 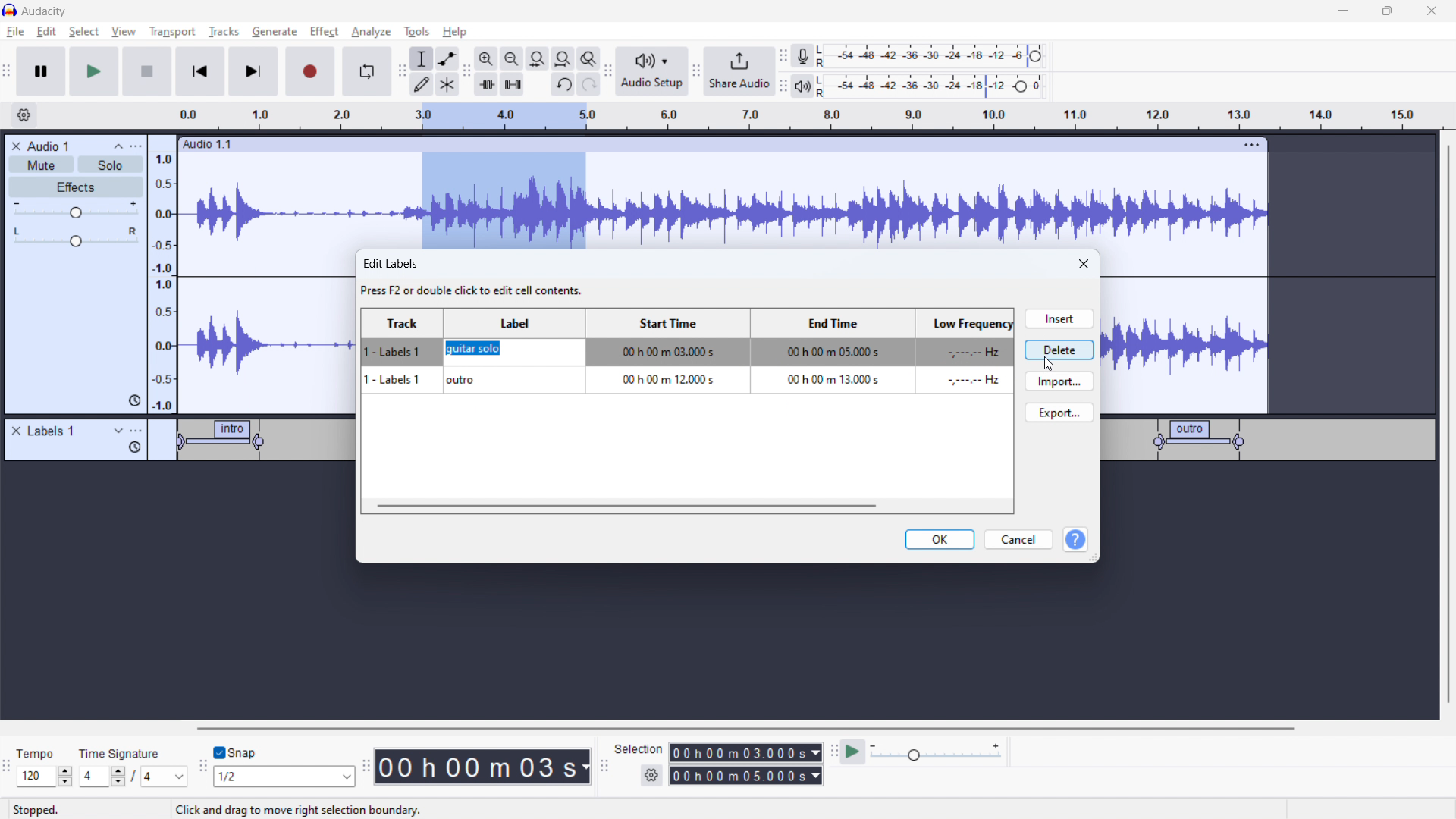 What do you see at coordinates (486, 58) in the screenshot?
I see `zoom in` at bounding box center [486, 58].